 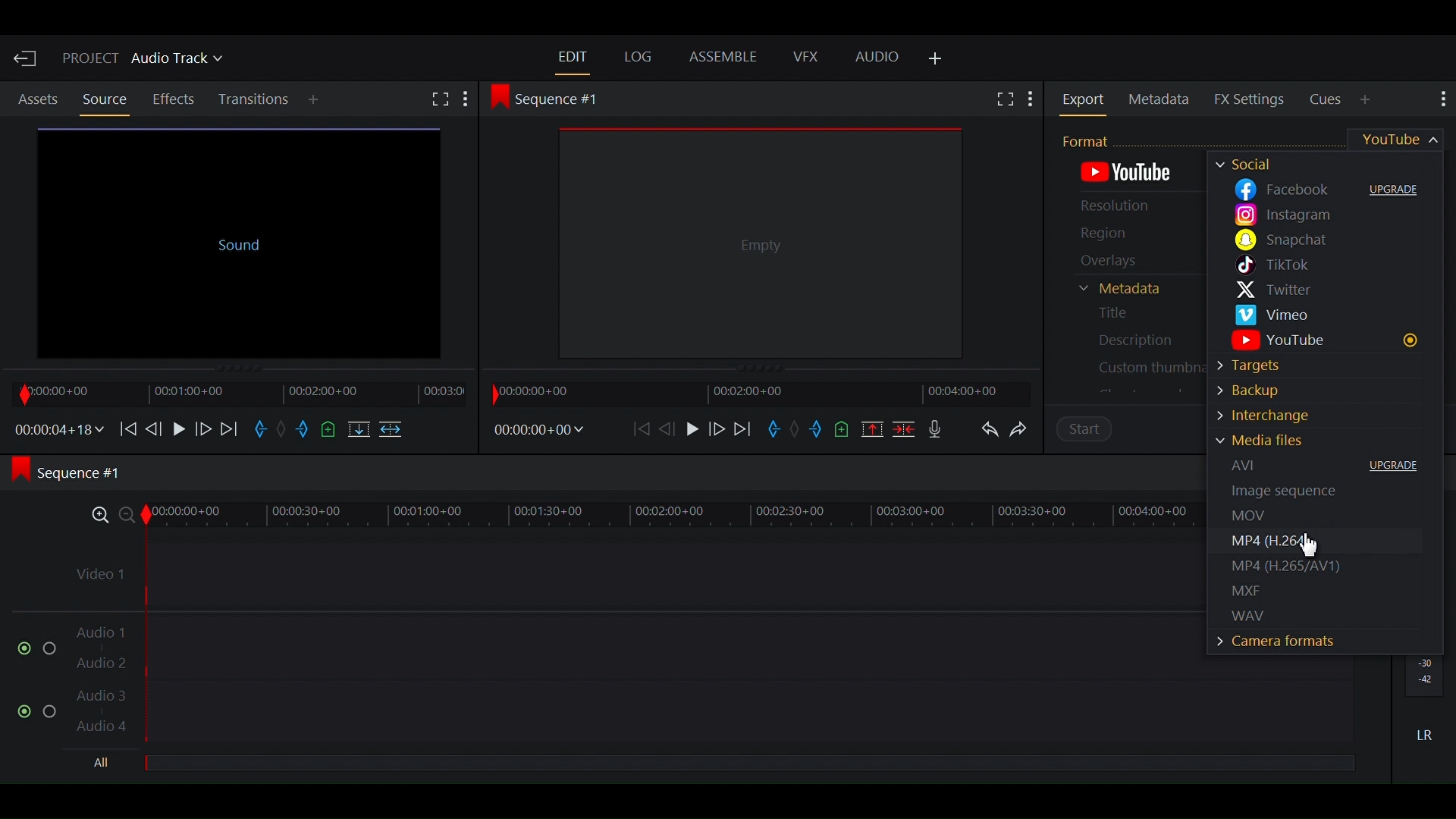 I want to click on MP4(H.265), so click(x=1321, y=541).